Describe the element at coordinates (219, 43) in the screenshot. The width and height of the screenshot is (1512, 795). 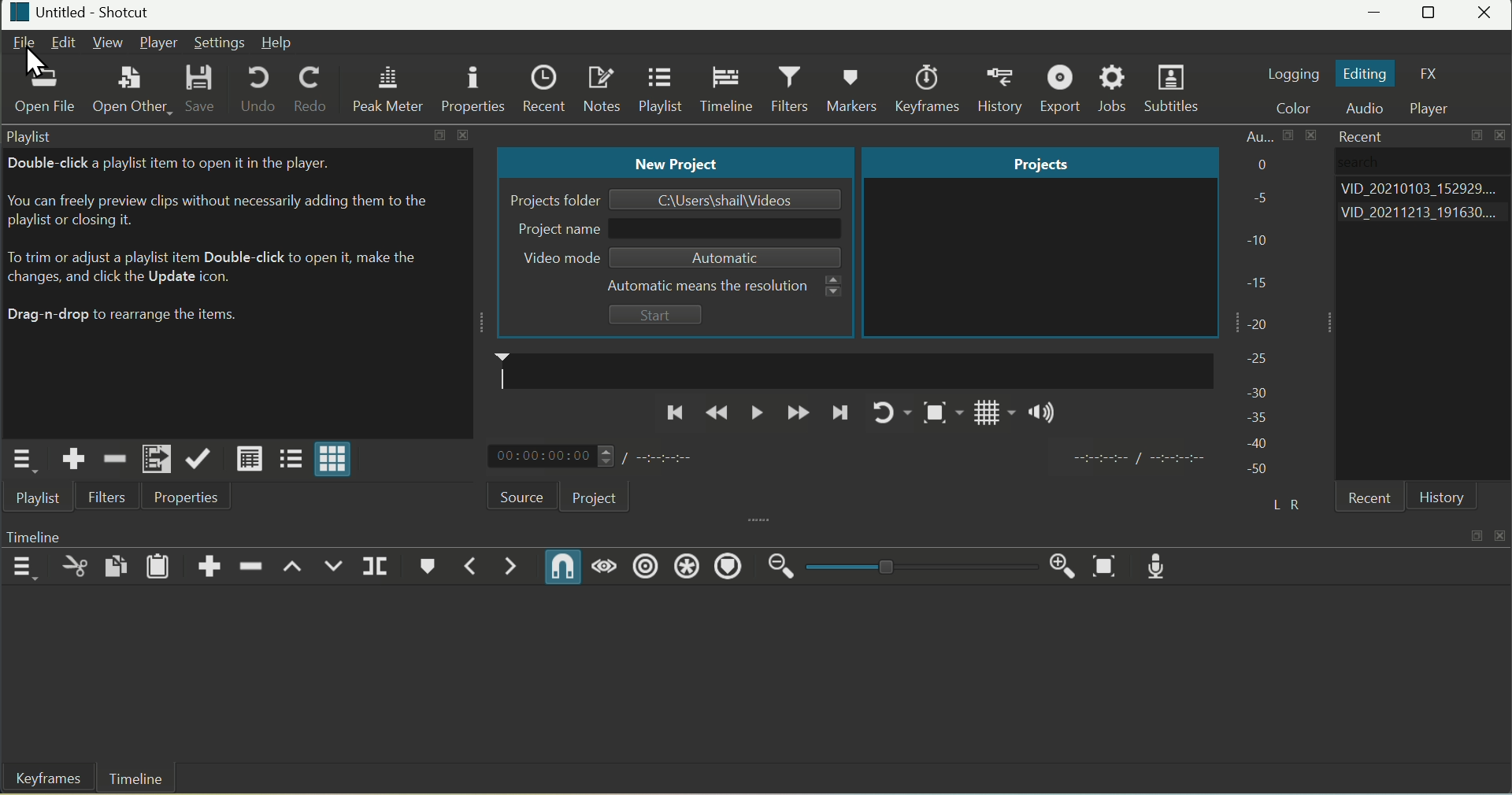
I see `Settings` at that location.